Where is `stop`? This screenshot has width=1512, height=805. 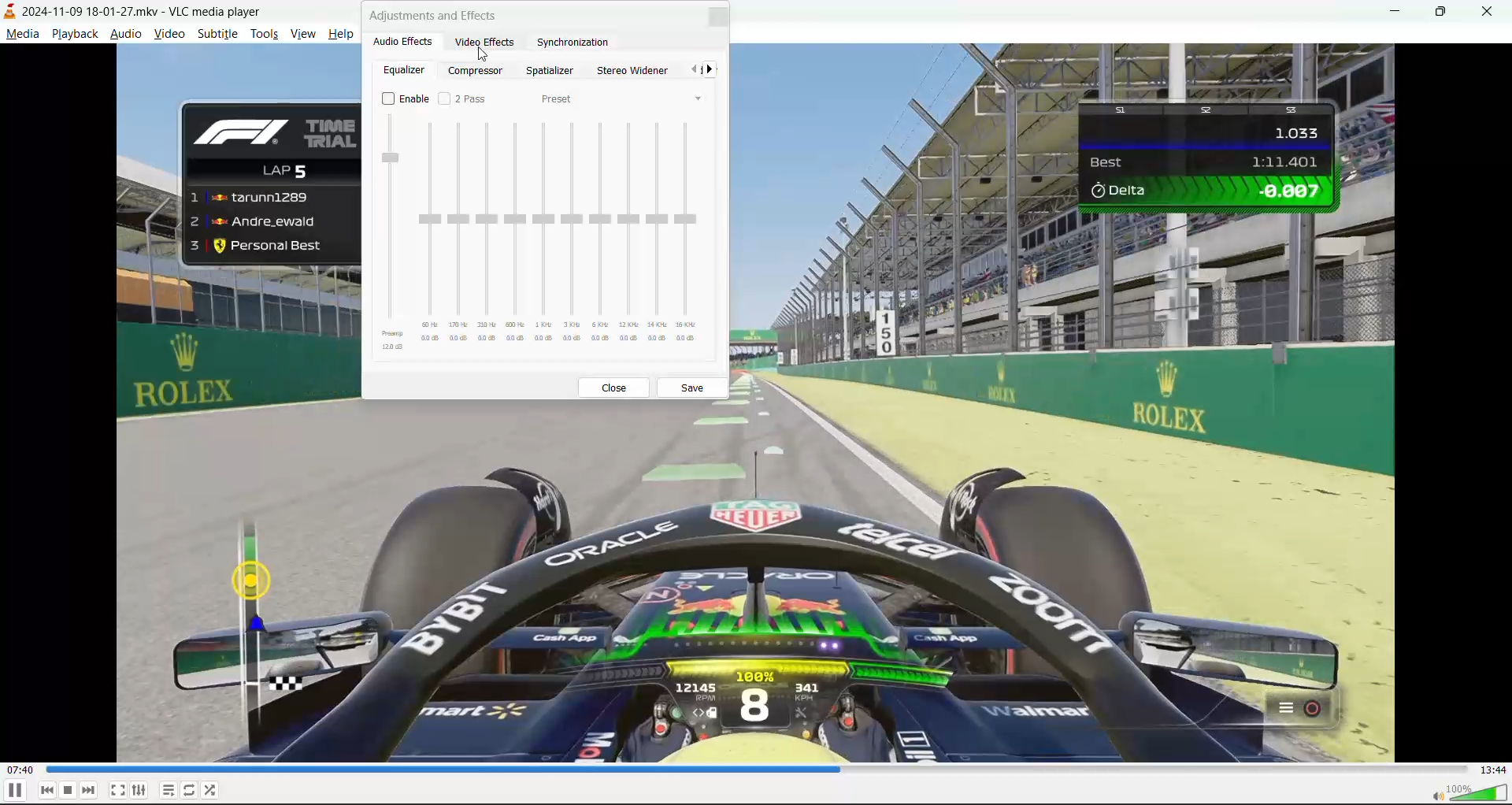
stop is located at coordinates (69, 790).